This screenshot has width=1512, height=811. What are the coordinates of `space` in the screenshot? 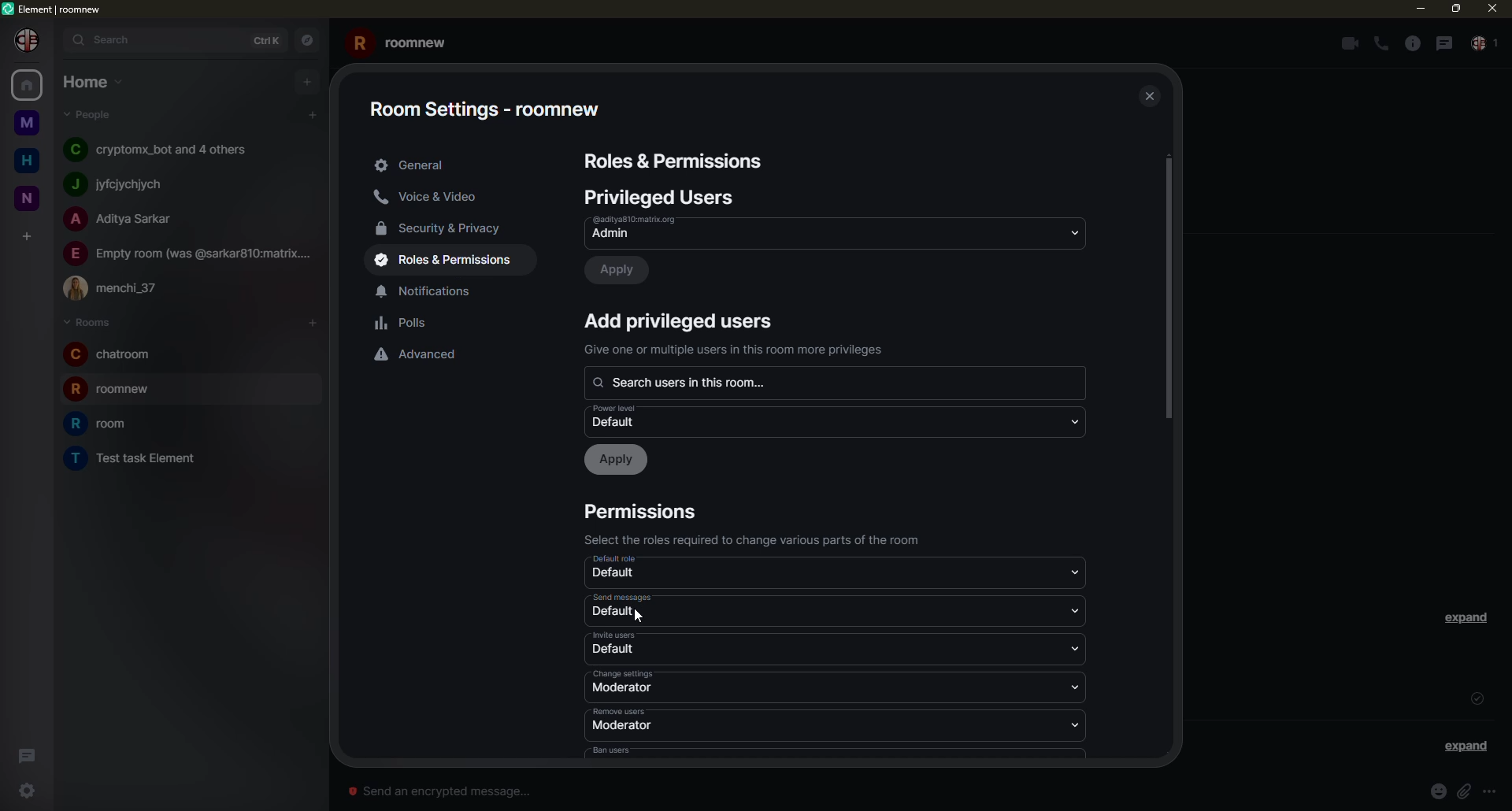 It's located at (26, 120).